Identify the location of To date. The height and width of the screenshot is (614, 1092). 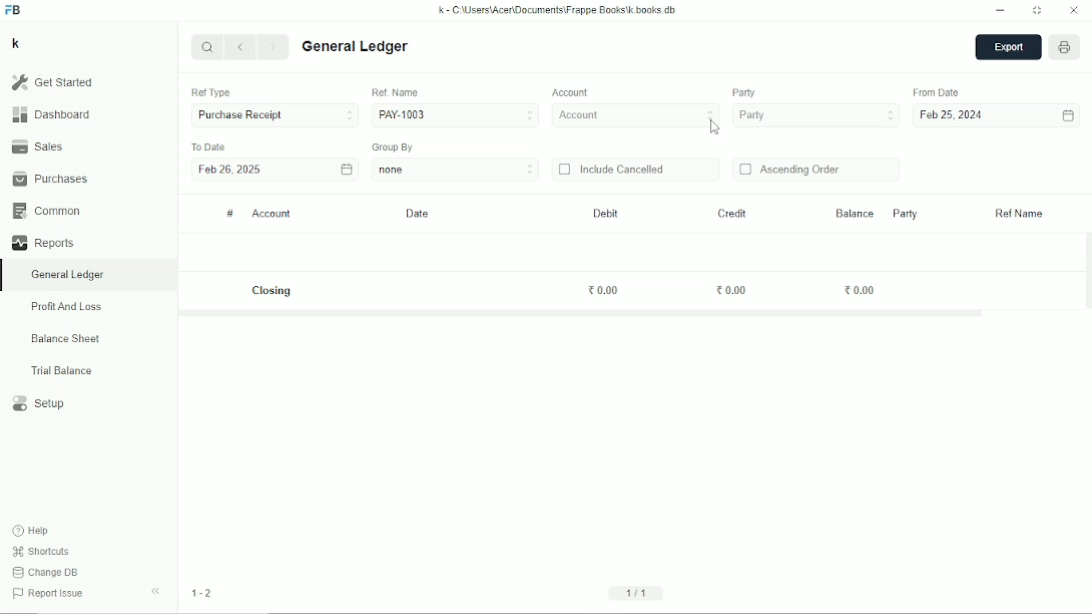
(208, 146).